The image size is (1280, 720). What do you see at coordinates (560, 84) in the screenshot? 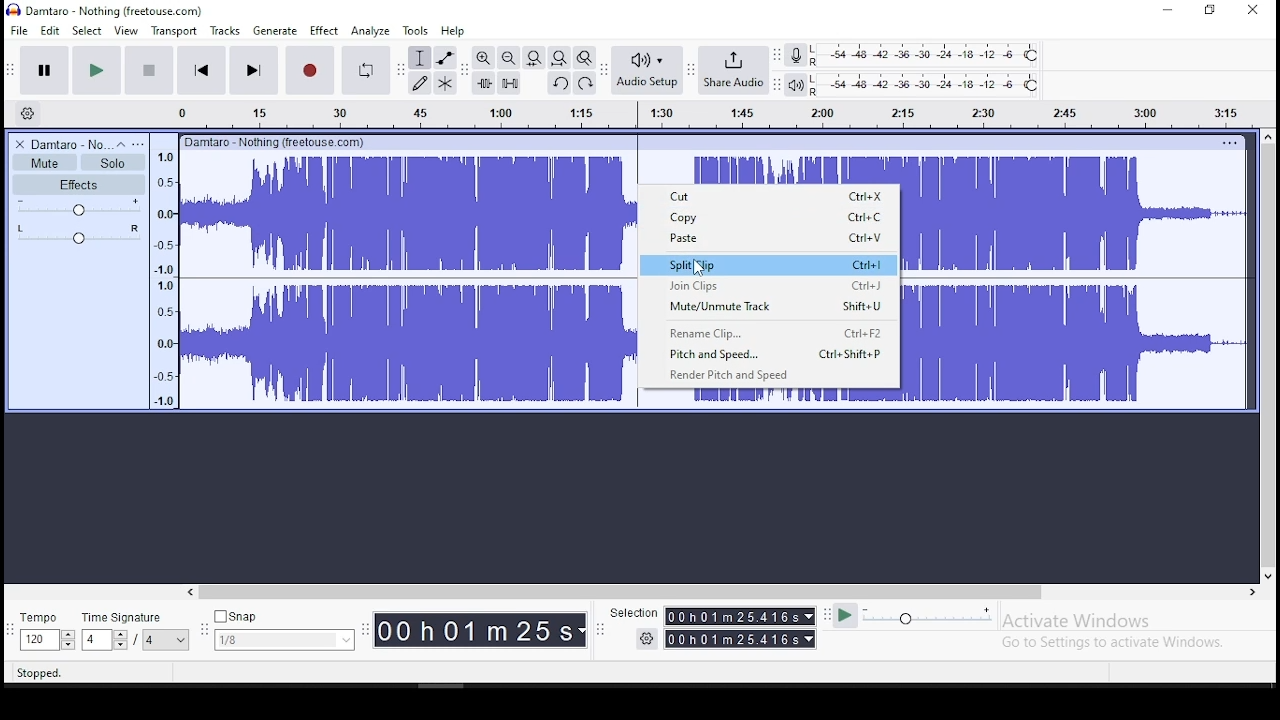
I see `undo` at bounding box center [560, 84].